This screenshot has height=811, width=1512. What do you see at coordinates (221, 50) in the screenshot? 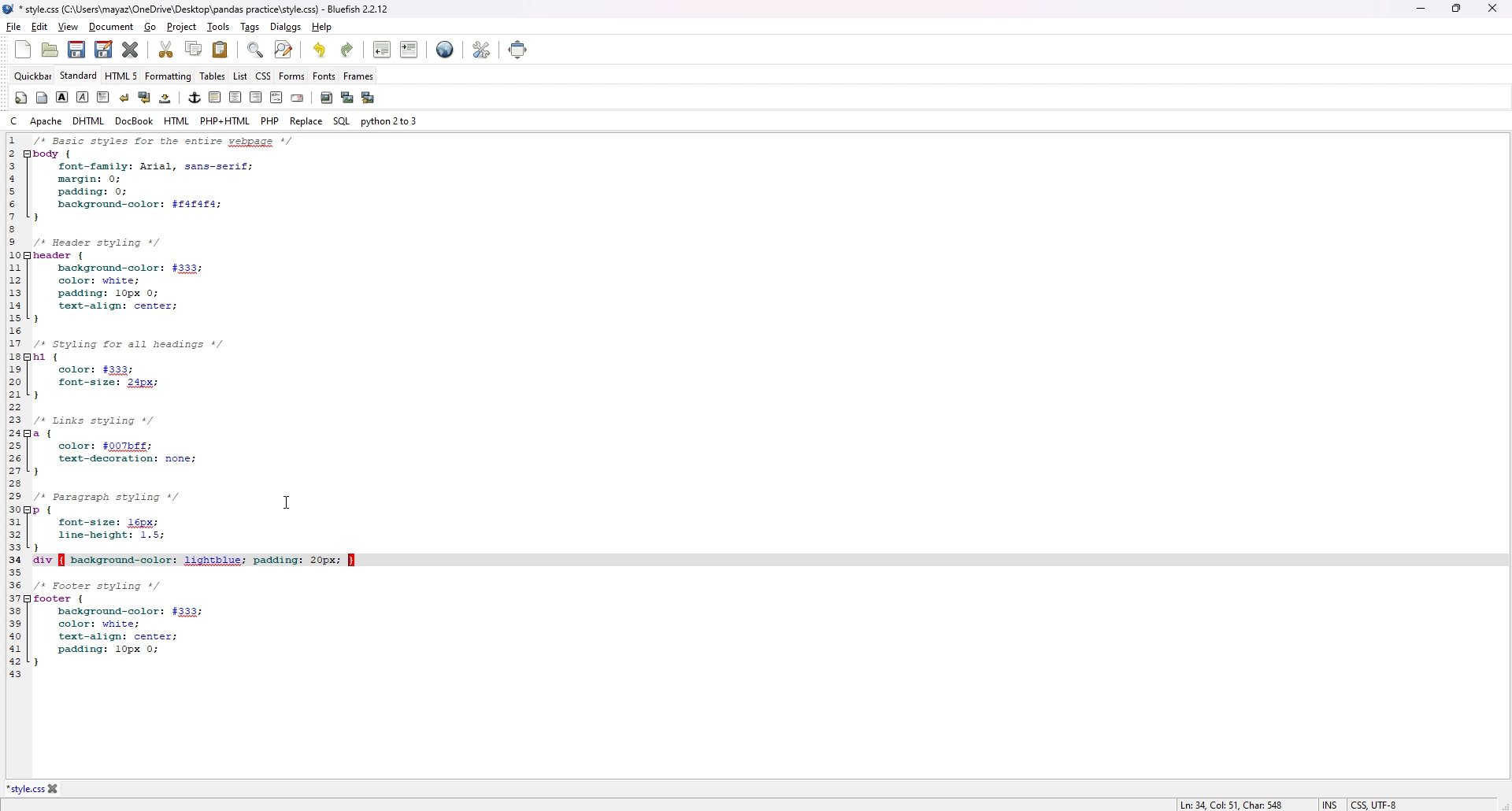
I see `paste` at bounding box center [221, 50].